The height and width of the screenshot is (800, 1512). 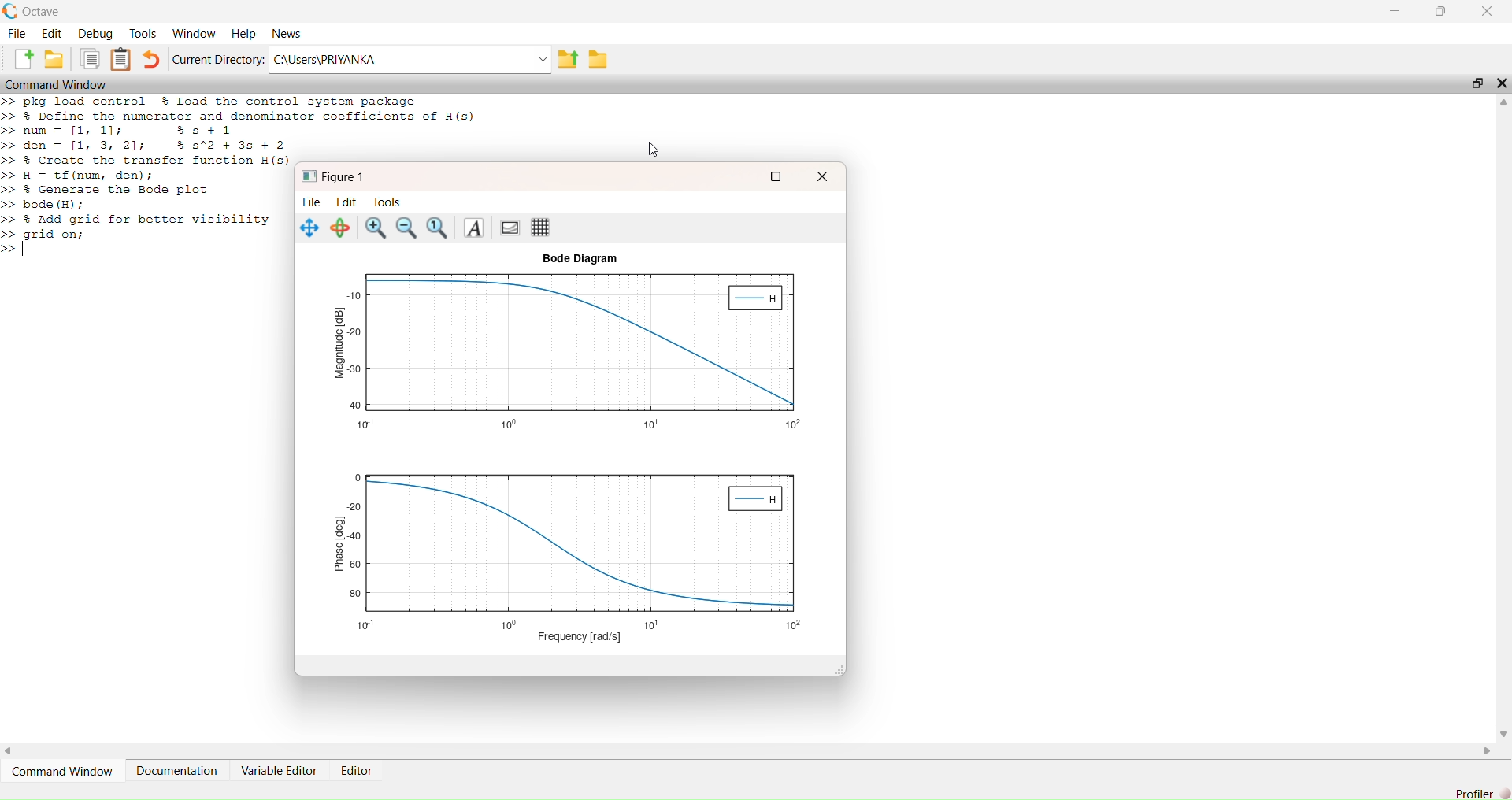 I want to click on Octave logo, so click(x=10, y=11).